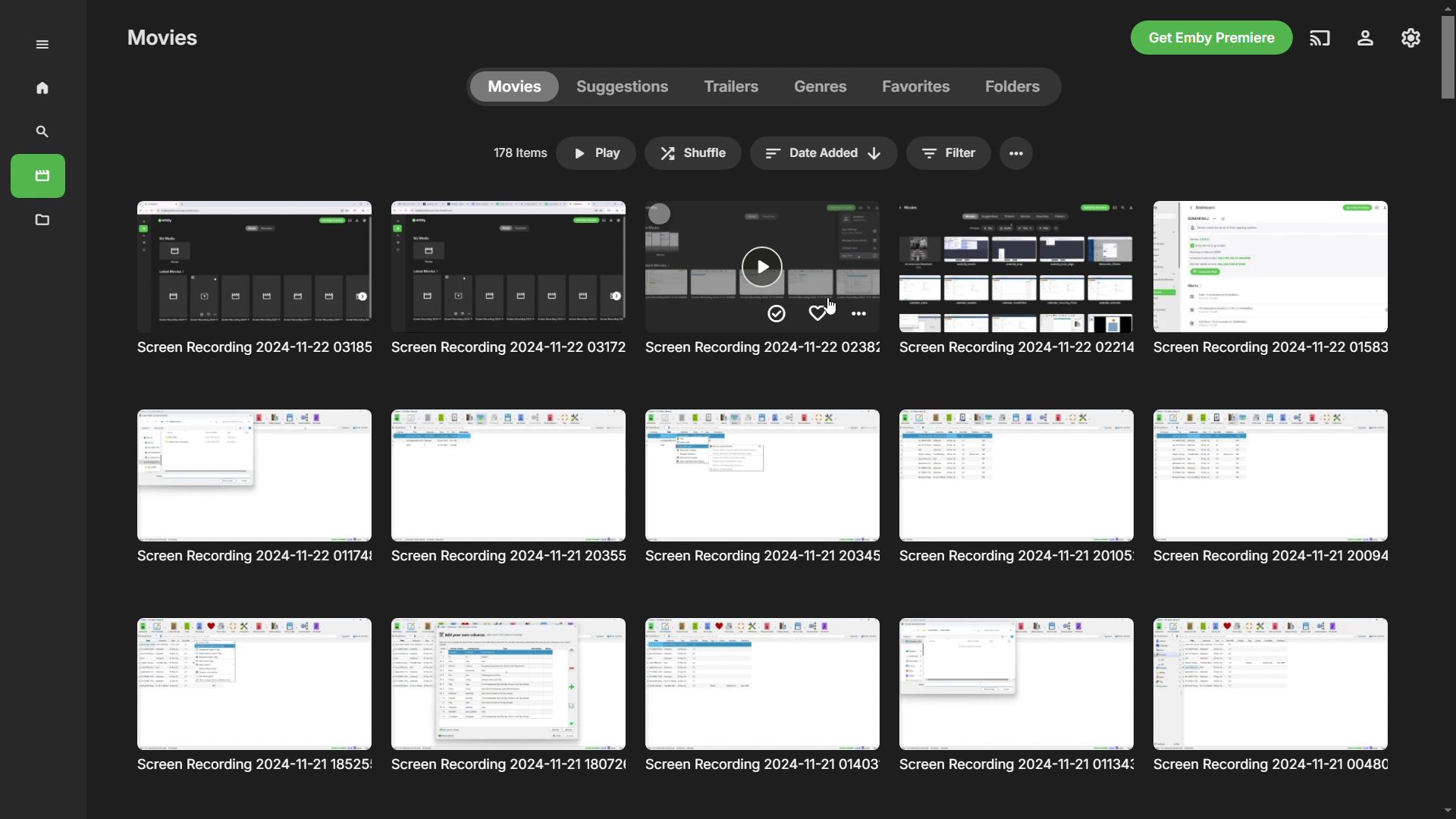 This screenshot has width=1456, height=819. Describe the element at coordinates (252, 695) in the screenshot. I see `` at that location.